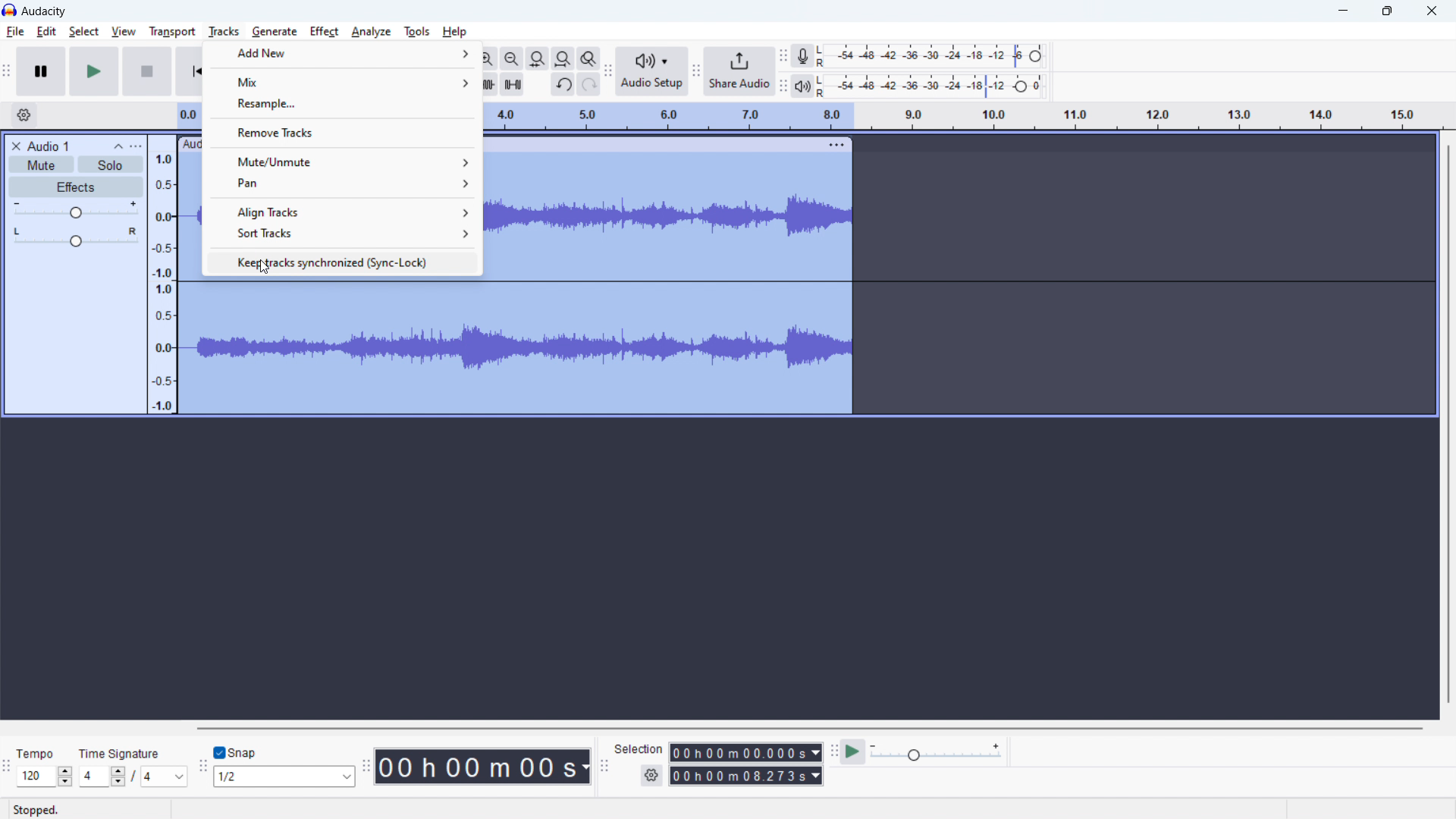 This screenshot has width=1456, height=819. What do you see at coordinates (563, 58) in the screenshot?
I see `fir project to width` at bounding box center [563, 58].